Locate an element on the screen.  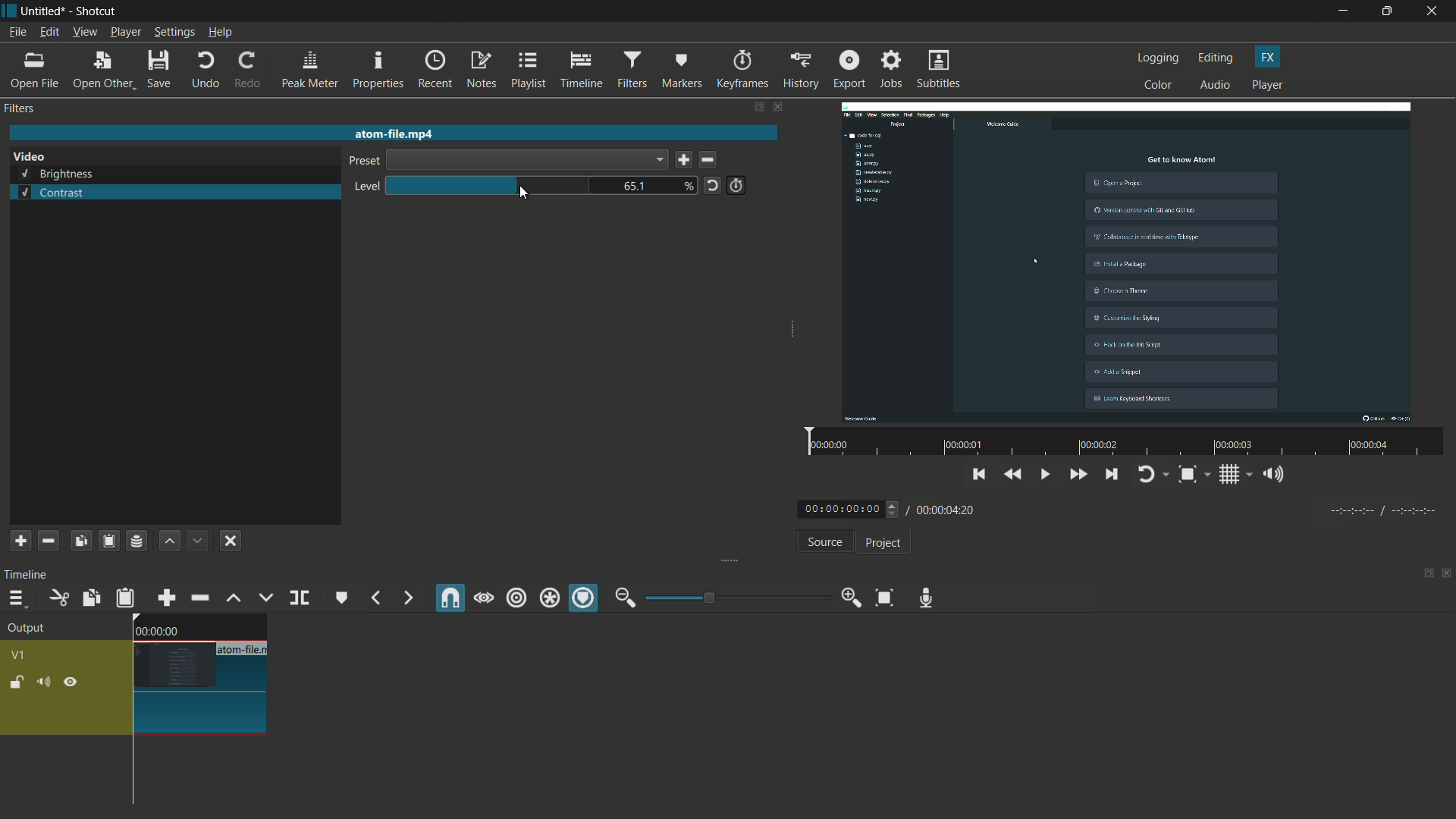
cursor is located at coordinates (522, 193).